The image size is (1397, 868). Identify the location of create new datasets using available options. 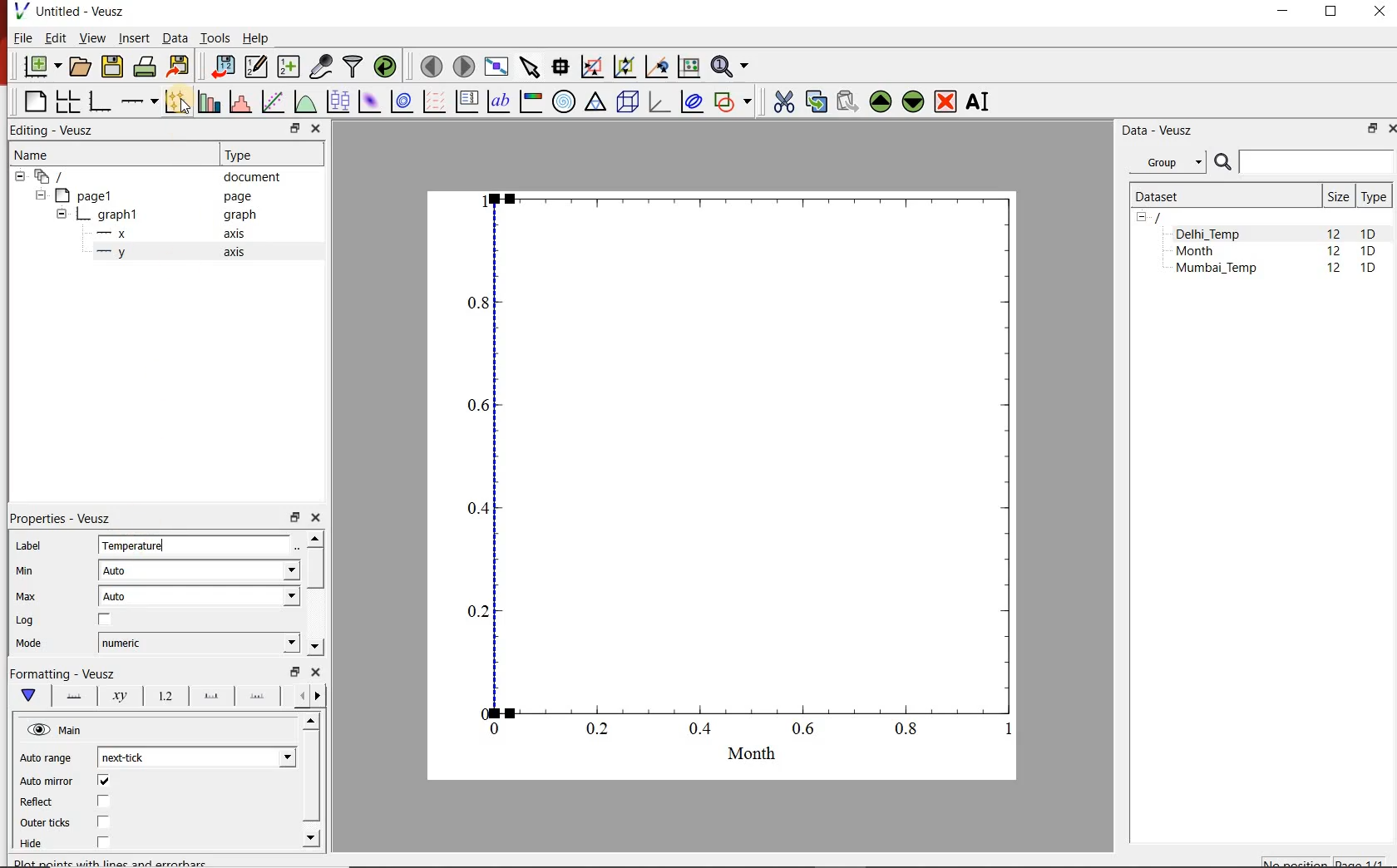
(289, 67).